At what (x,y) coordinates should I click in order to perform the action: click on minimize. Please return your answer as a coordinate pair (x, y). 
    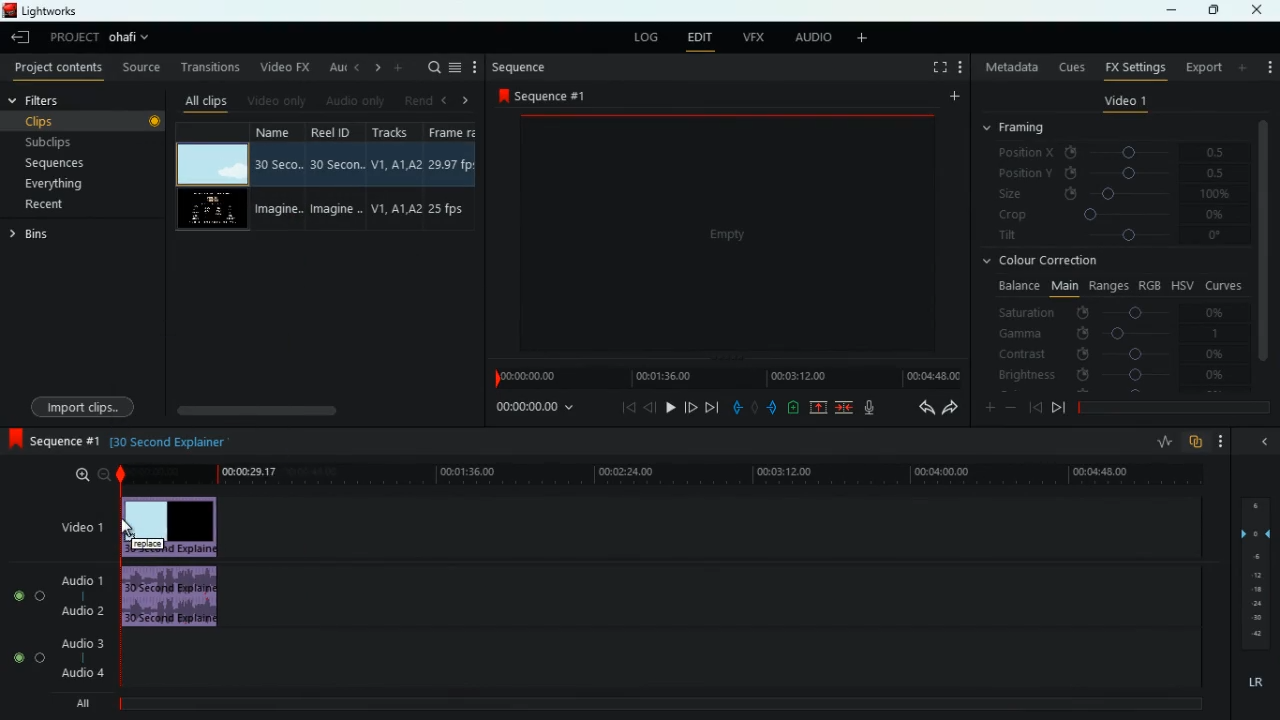
    Looking at the image, I should click on (1175, 10).